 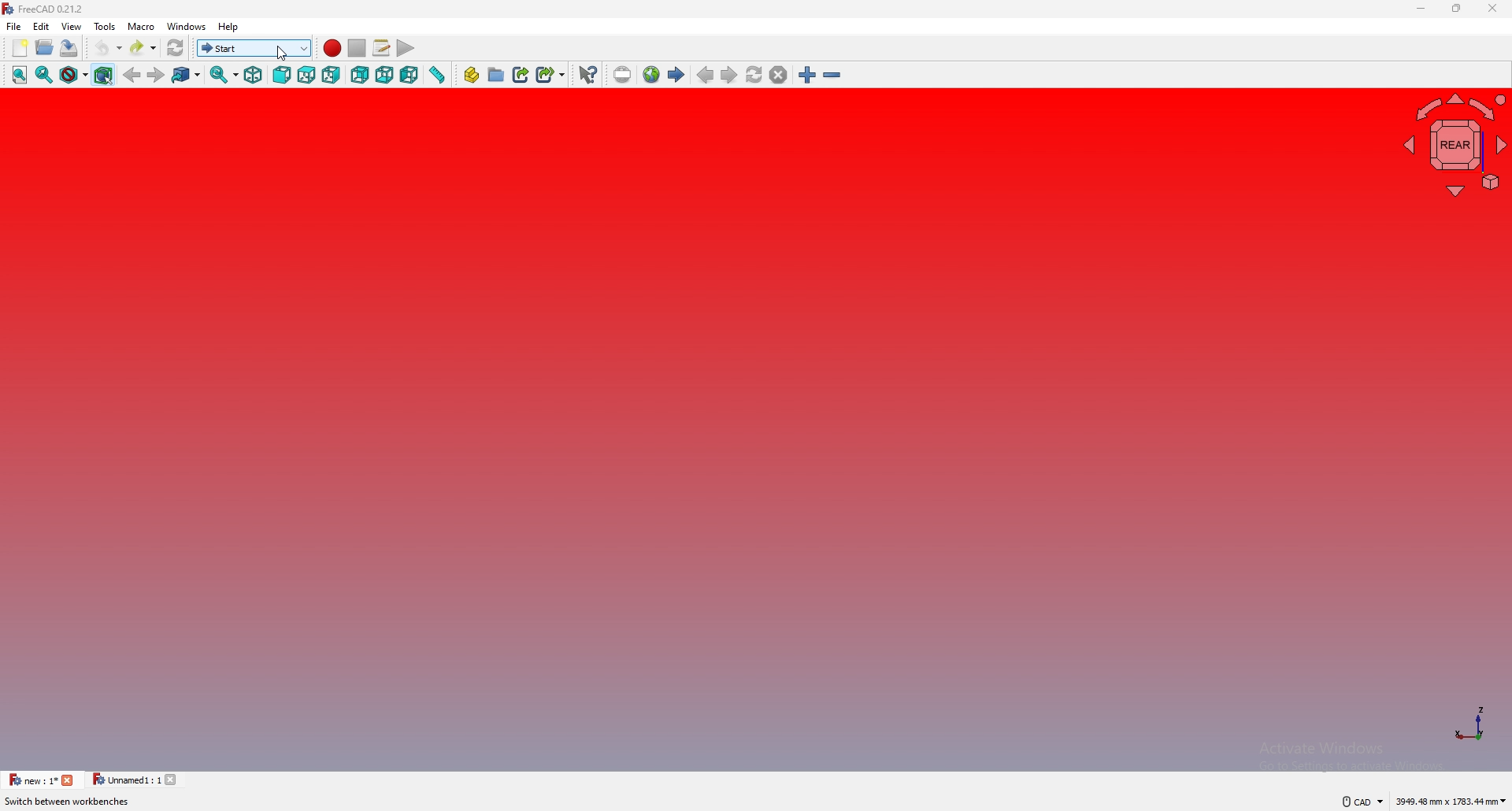 What do you see at coordinates (358, 48) in the screenshot?
I see `stop macro` at bounding box center [358, 48].